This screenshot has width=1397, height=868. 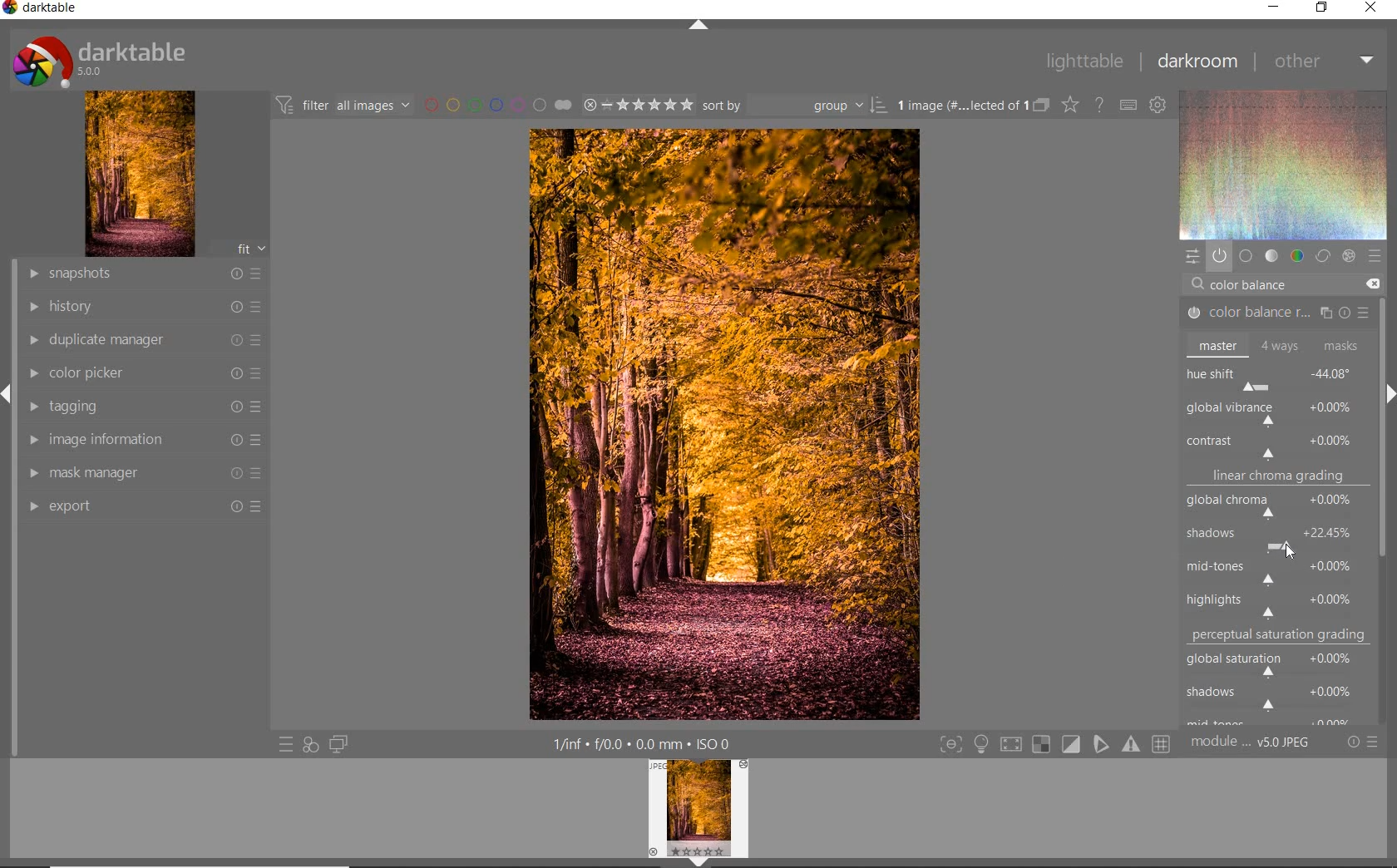 I want to click on tagging, so click(x=143, y=408).